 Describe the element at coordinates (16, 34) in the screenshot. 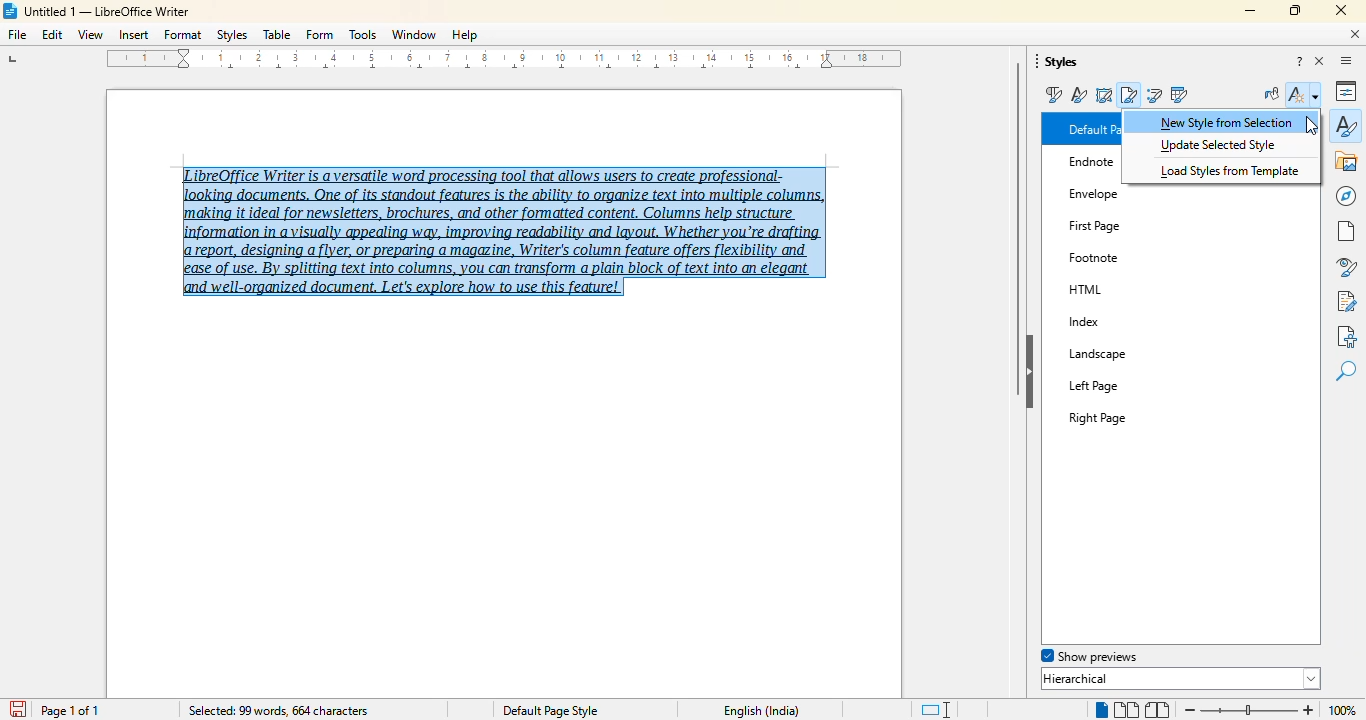

I see `file` at that location.